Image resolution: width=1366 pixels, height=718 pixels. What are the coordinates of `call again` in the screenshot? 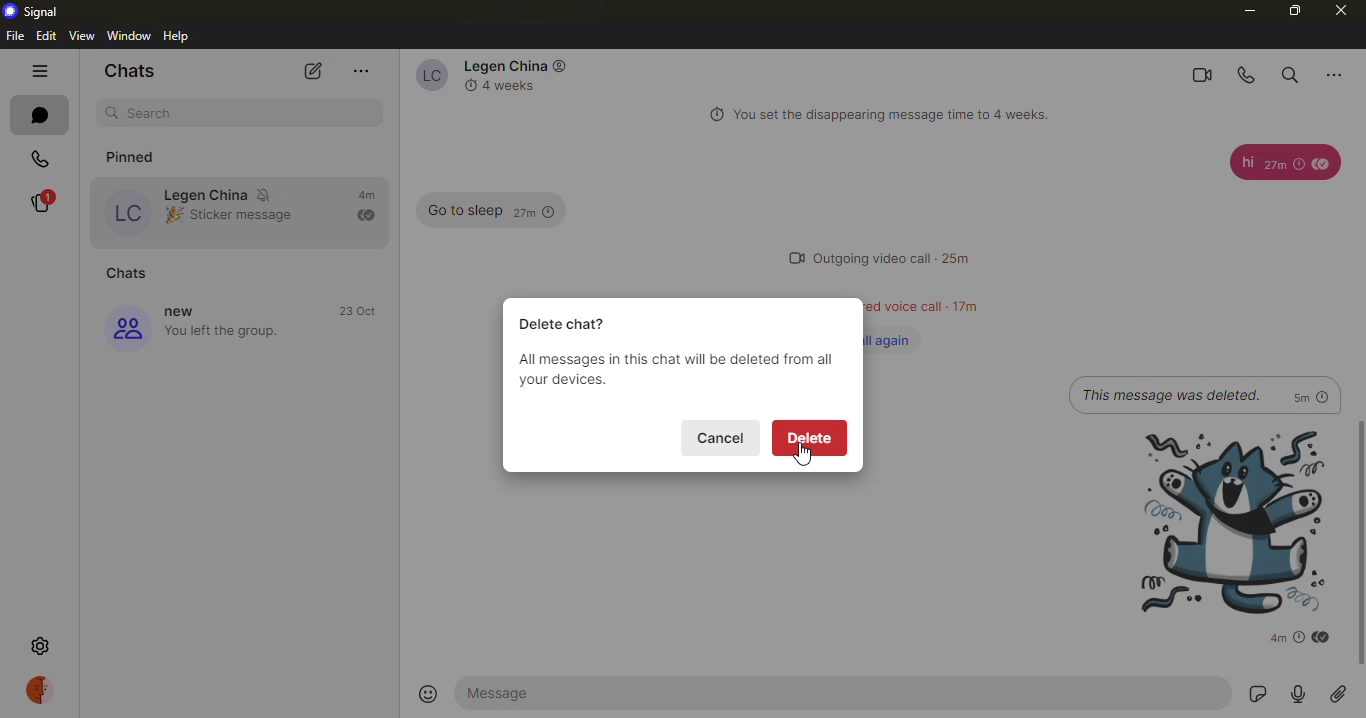 It's located at (897, 339).